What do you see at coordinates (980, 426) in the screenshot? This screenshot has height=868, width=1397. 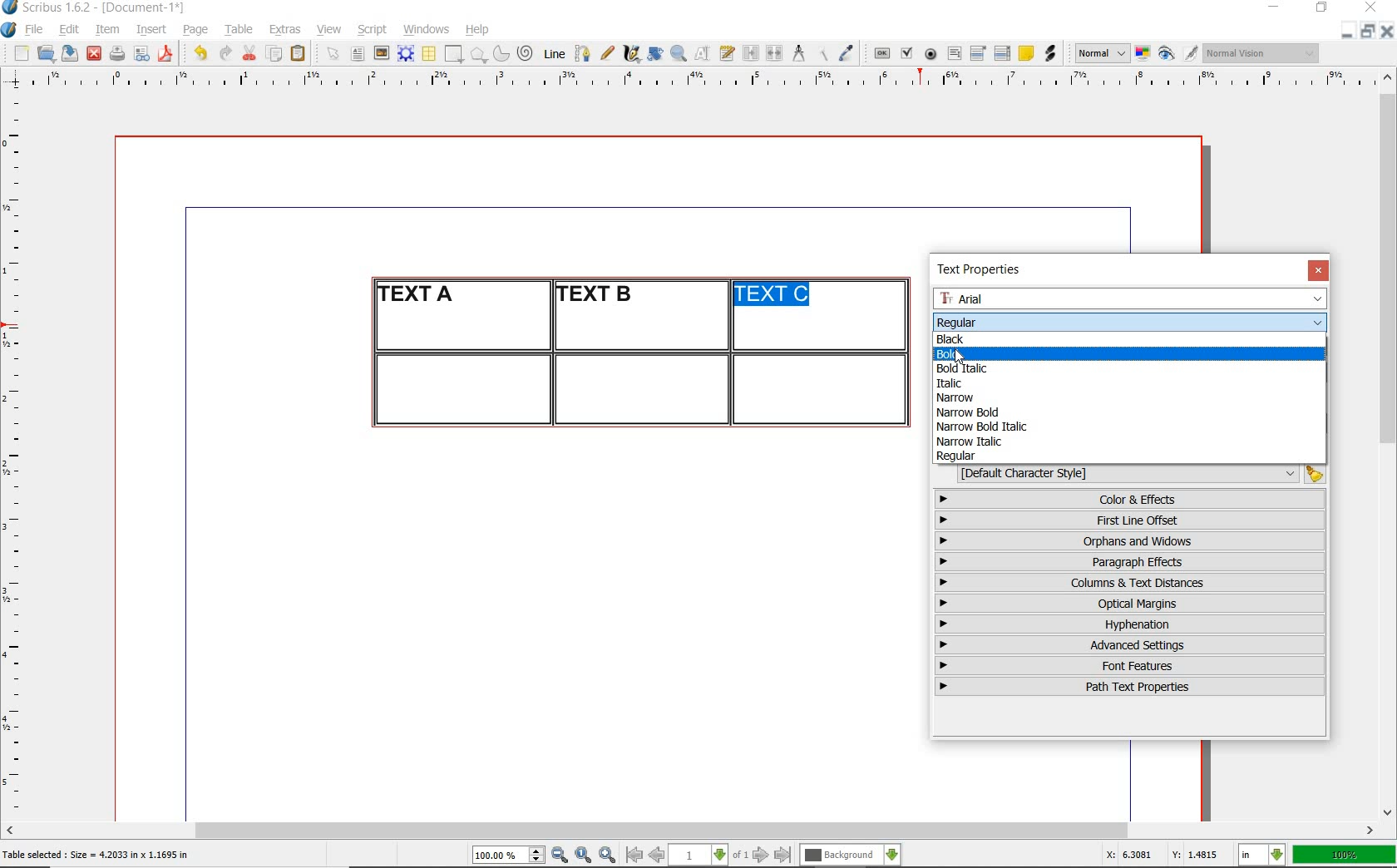 I see `narrow bold italic` at bounding box center [980, 426].